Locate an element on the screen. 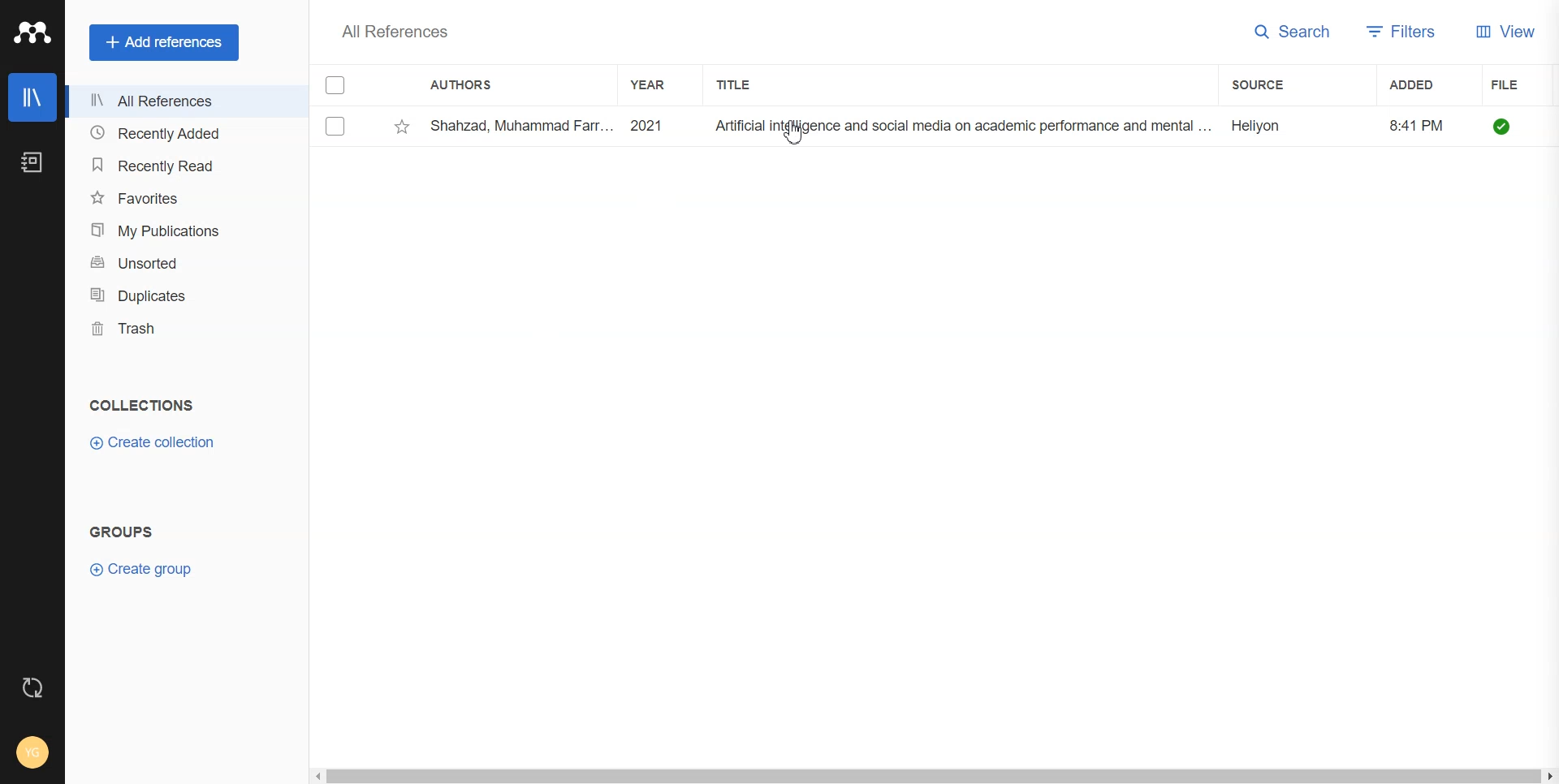 The image size is (1559, 784). 8:41 PM is located at coordinates (1418, 123).